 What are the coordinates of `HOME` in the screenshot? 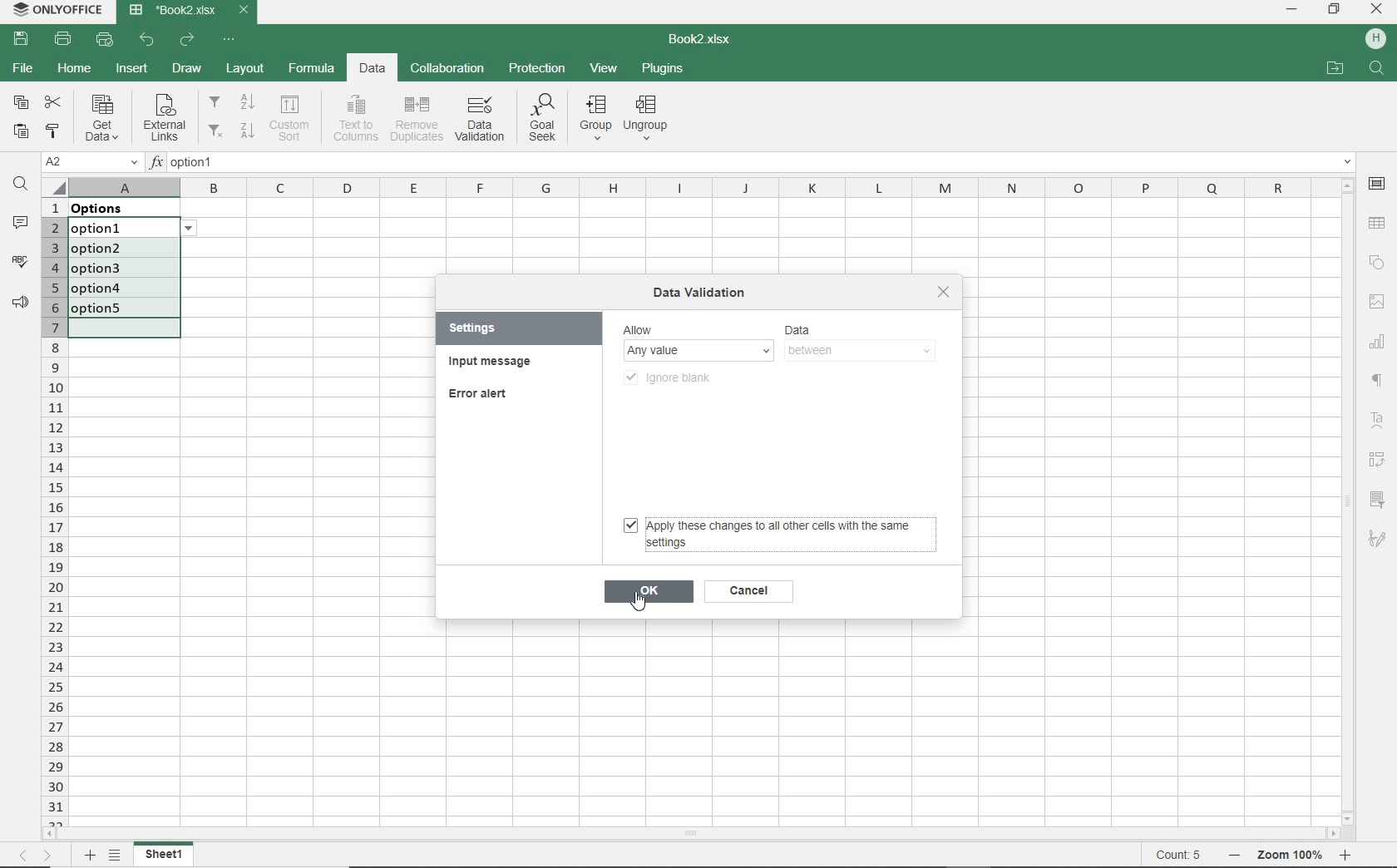 It's located at (74, 72).